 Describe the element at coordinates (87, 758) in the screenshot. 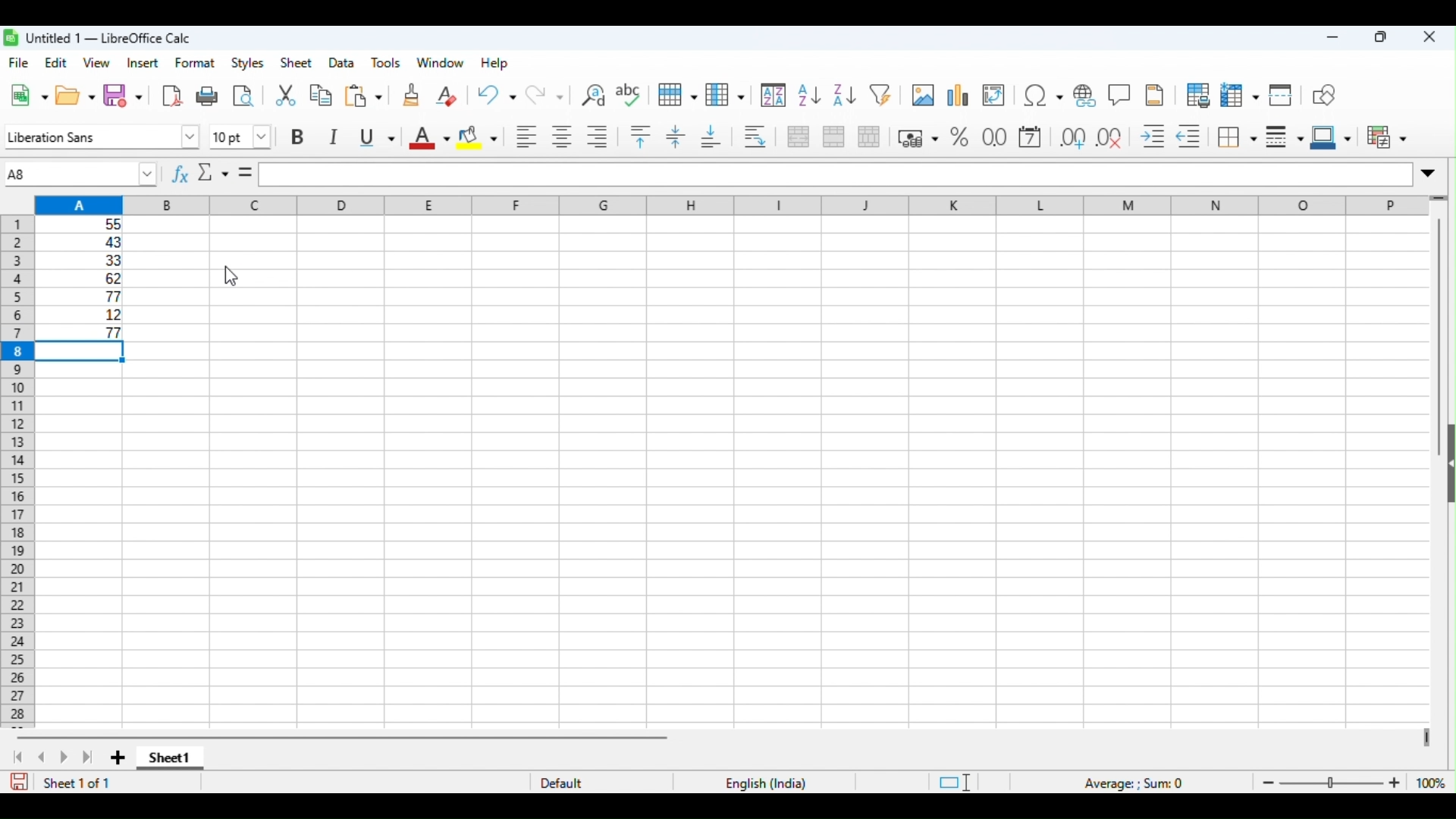

I see `last sheet` at that location.